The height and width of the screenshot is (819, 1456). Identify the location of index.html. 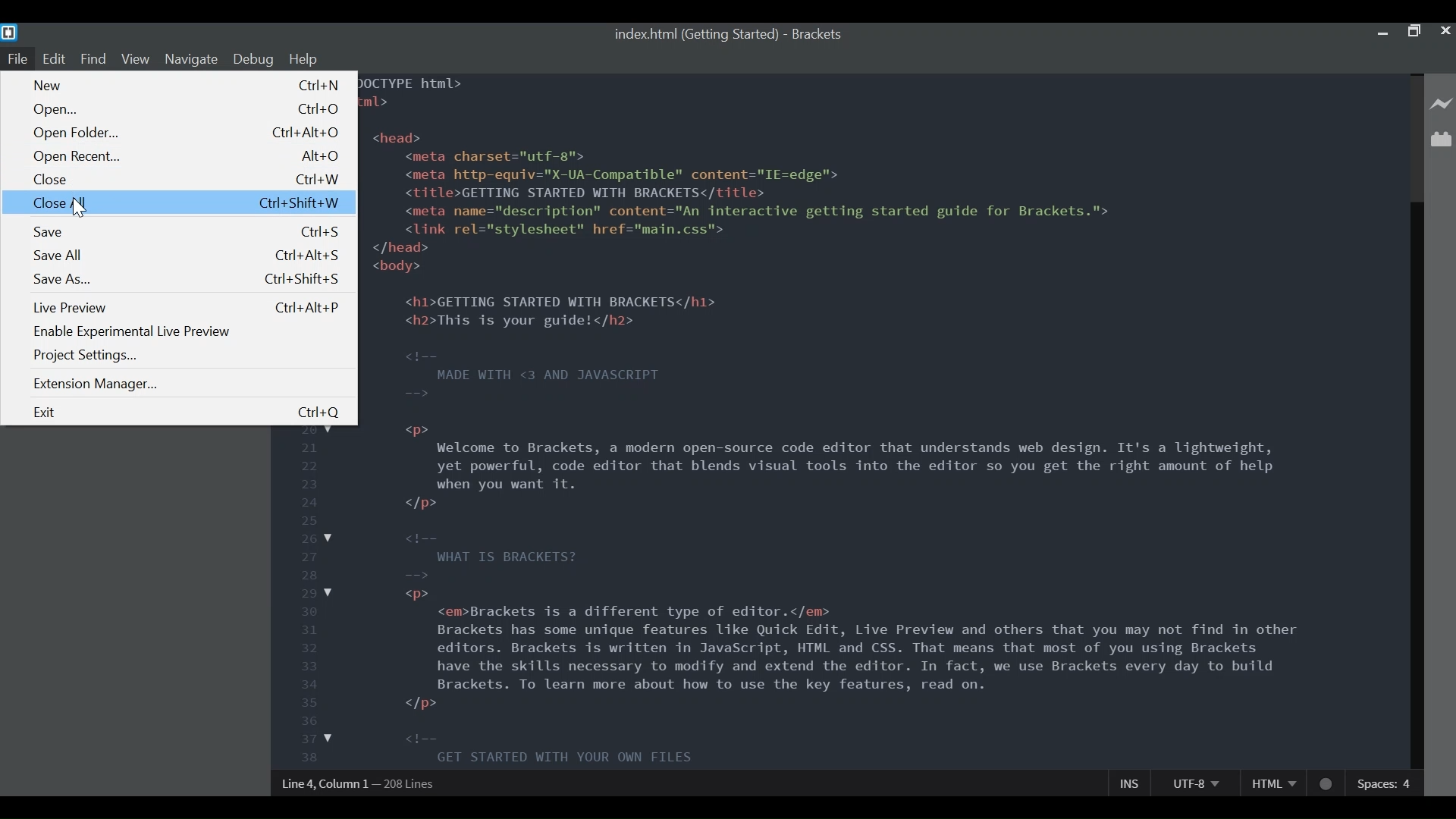
(695, 33).